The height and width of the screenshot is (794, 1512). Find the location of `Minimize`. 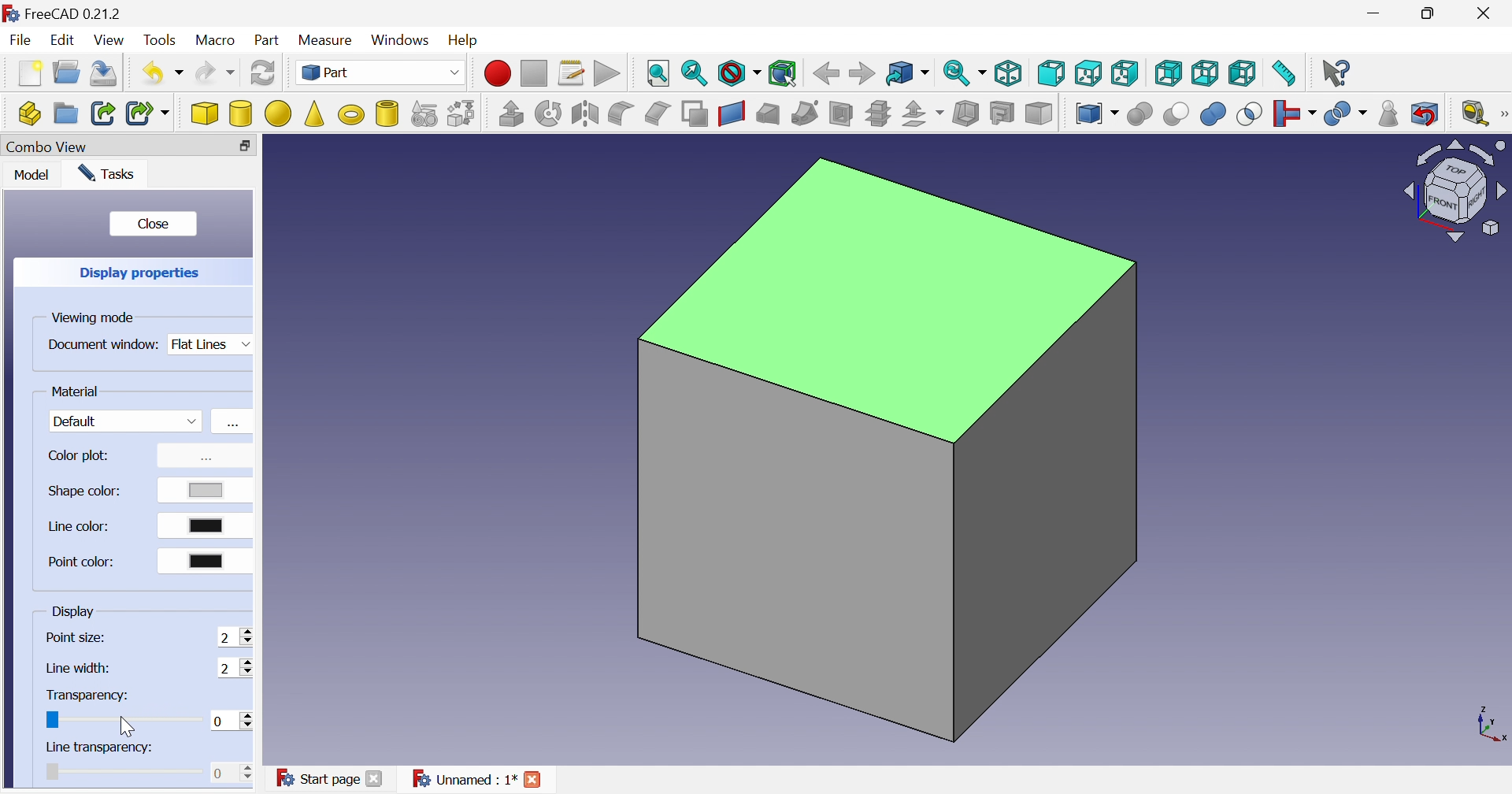

Minimize is located at coordinates (1373, 13).